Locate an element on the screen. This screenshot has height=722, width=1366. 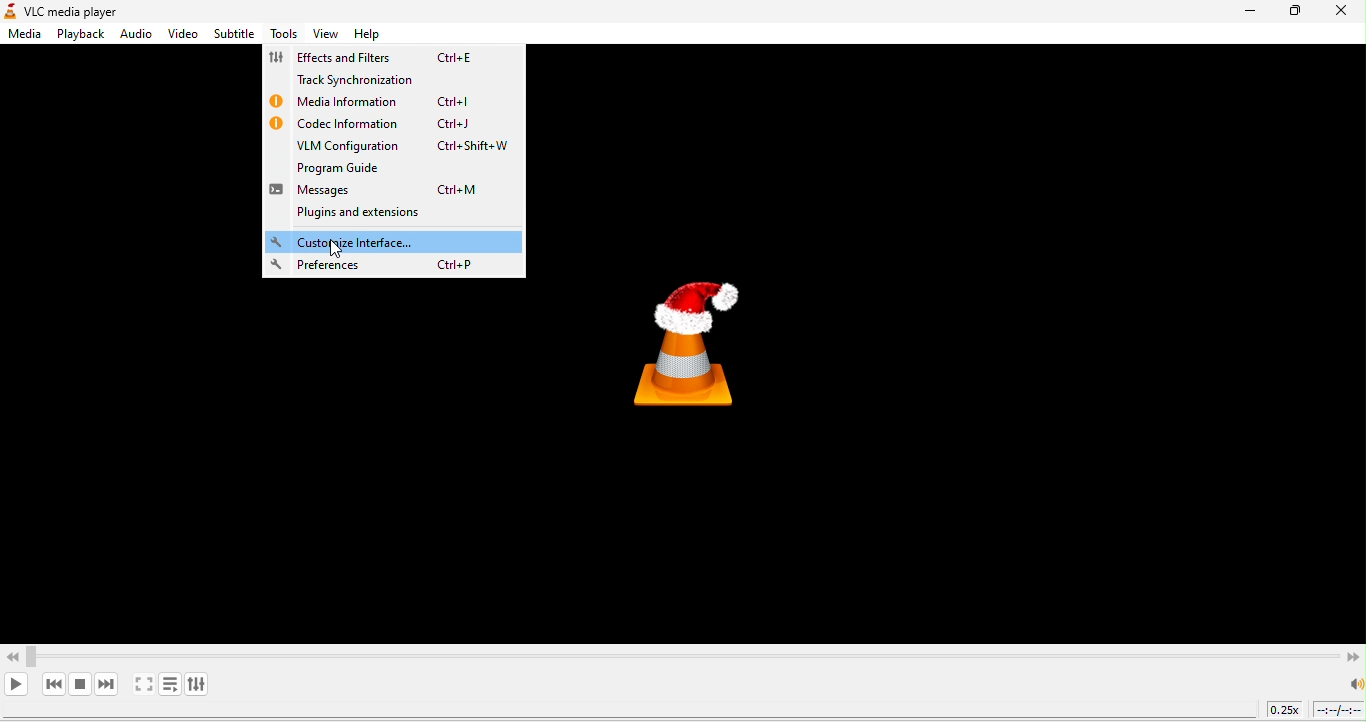
preferences is located at coordinates (383, 264).